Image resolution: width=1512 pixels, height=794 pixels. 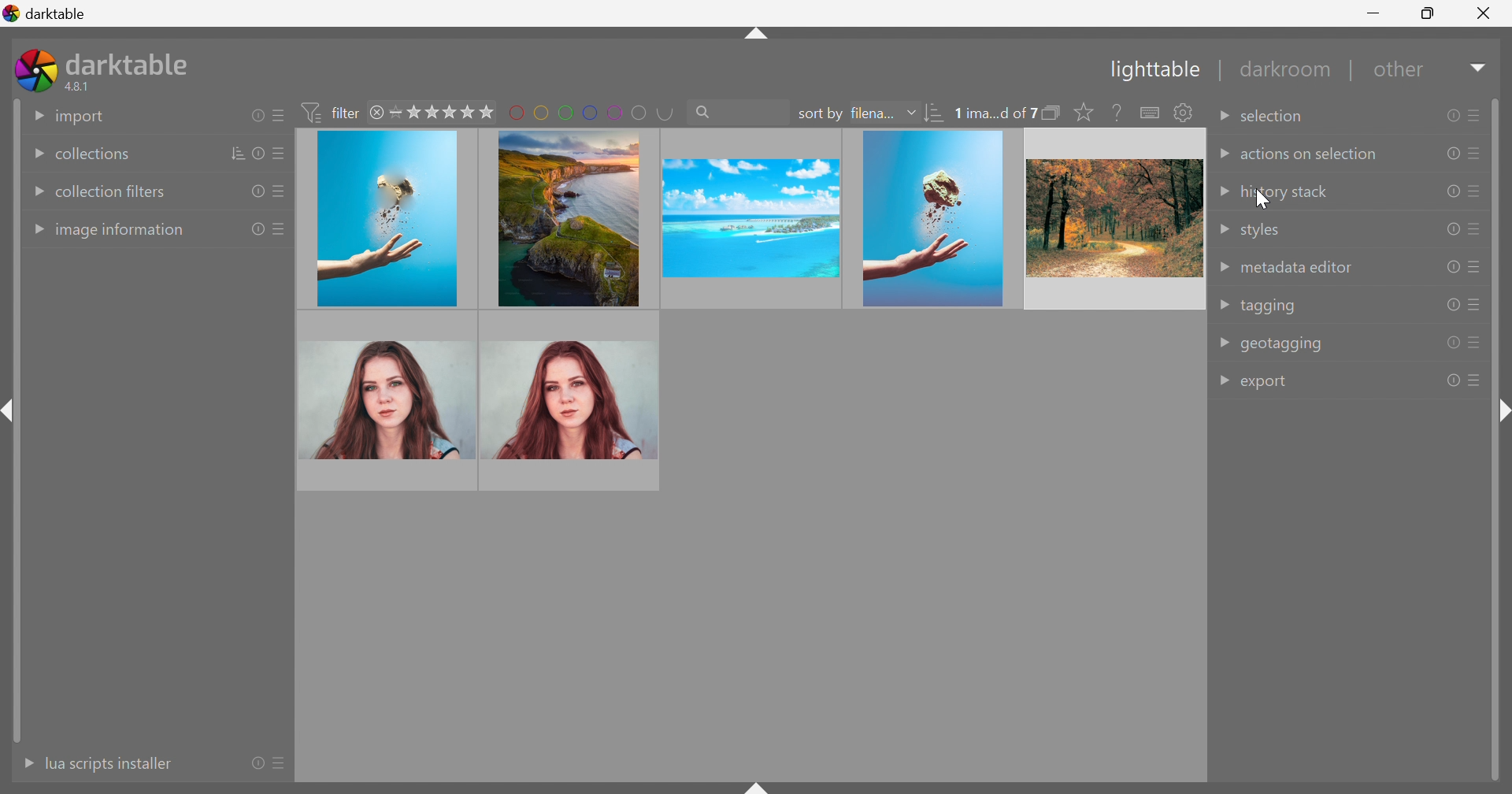 I want to click on image, so click(x=387, y=220).